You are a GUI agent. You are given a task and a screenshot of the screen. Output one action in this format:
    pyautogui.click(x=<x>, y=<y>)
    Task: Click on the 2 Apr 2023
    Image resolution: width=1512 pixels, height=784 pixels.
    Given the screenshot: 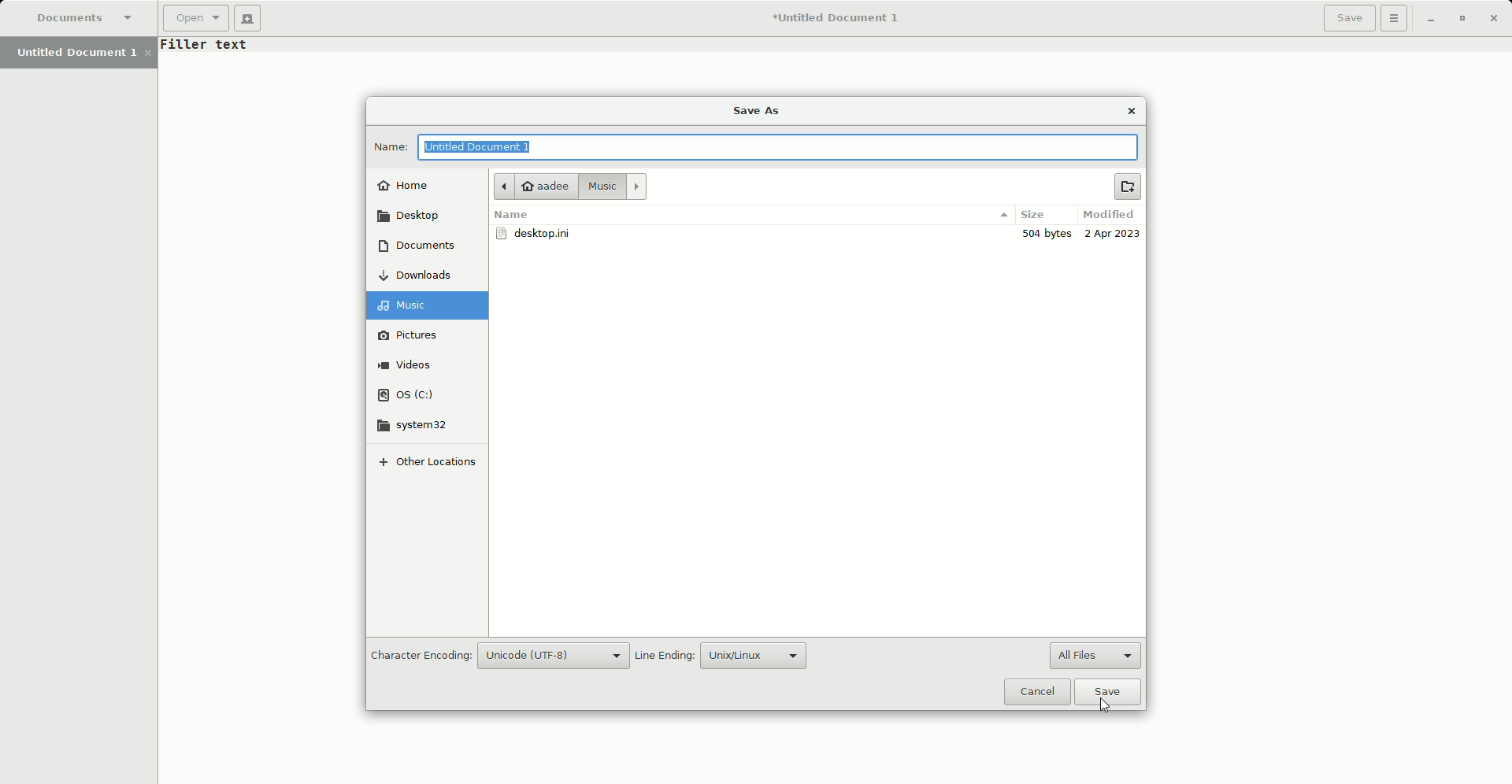 What is the action you would take?
    pyautogui.click(x=1114, y=235)
    